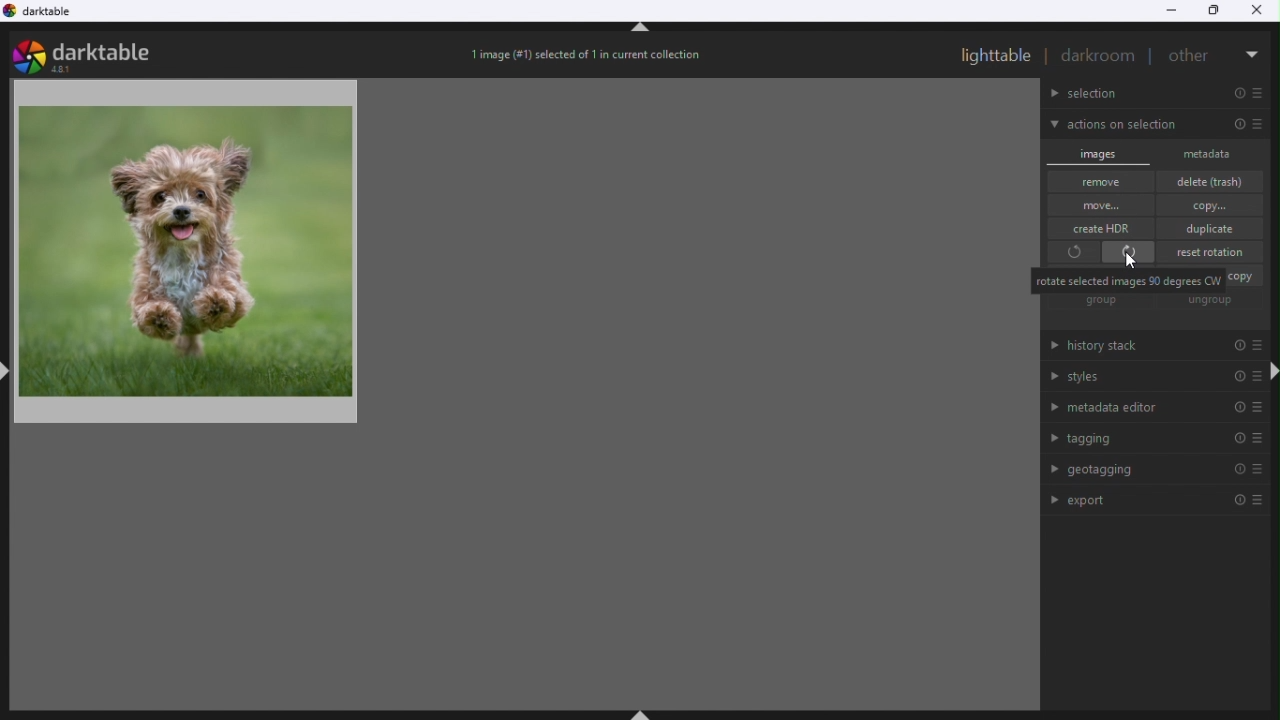 Image resolution: width=1280 pixels, height=720 pixels. Describe the element at coordinates (1108, 227) in the screenshot. I see `Create HDr` at that location.